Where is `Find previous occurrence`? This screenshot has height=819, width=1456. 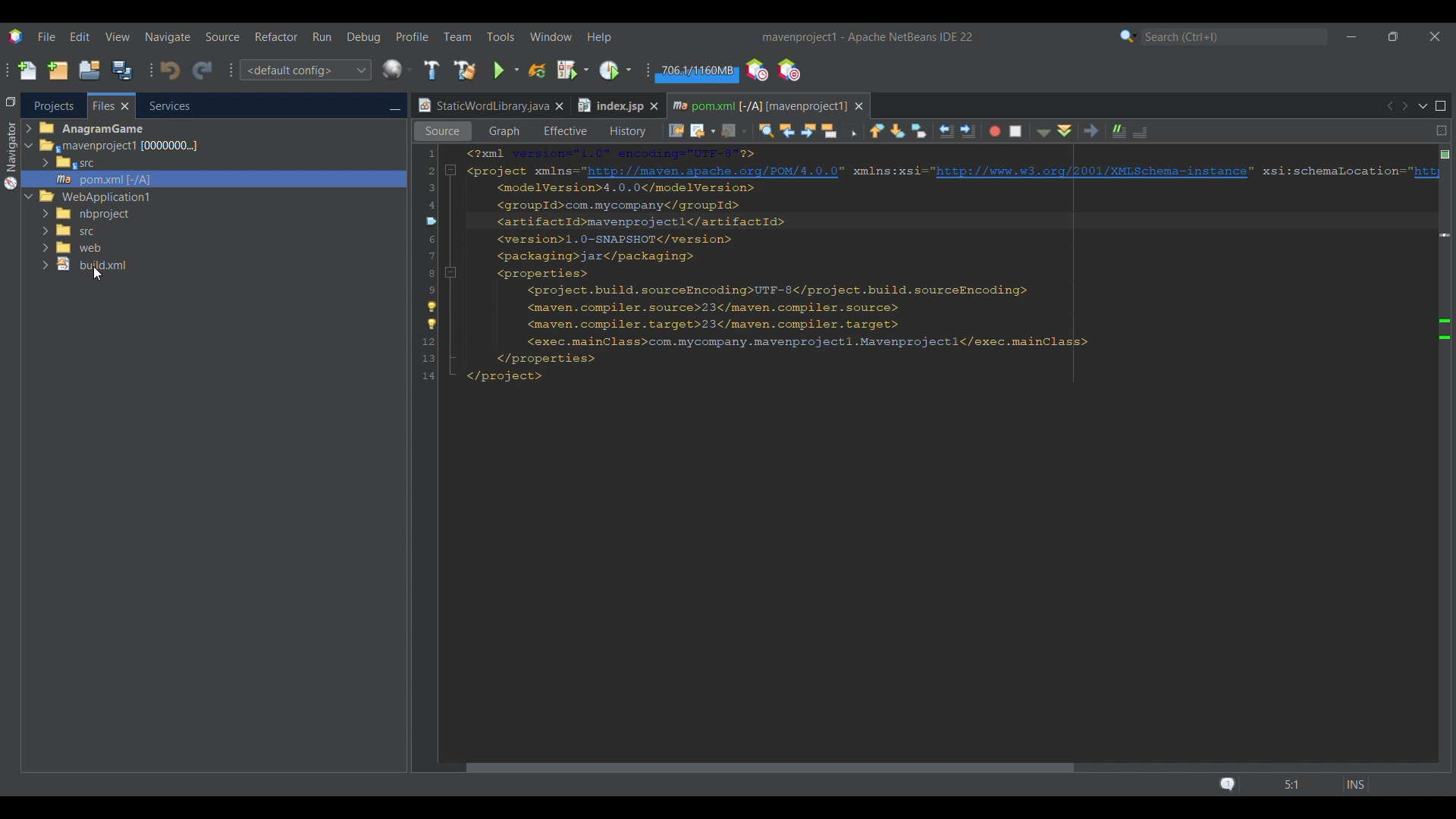
Find previous occurrence is located at coordinates (788, 132).